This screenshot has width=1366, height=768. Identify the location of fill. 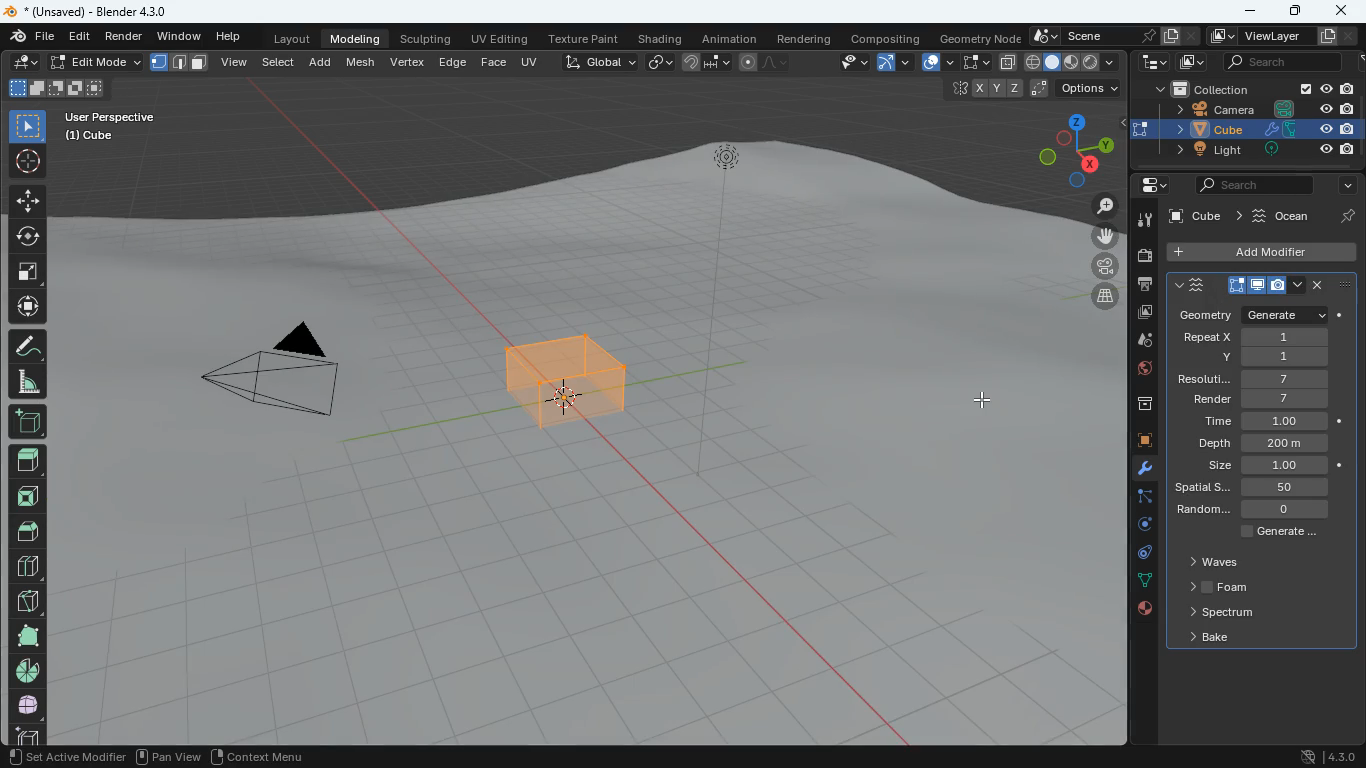
(1072, 61).